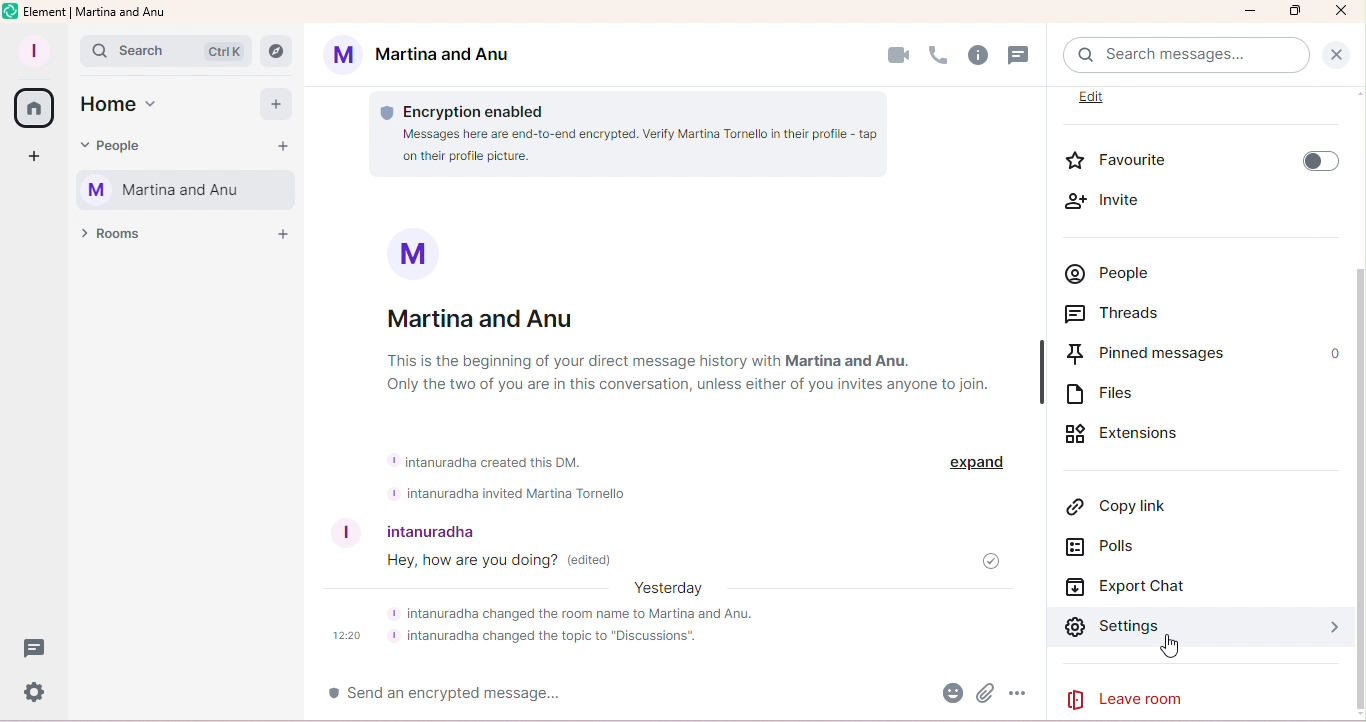 This screenshot has height=722, width=1366. What do you see at coordinates (282, 145) in the screenshot?
I see `Start chat` at bounding box center [282, 145].